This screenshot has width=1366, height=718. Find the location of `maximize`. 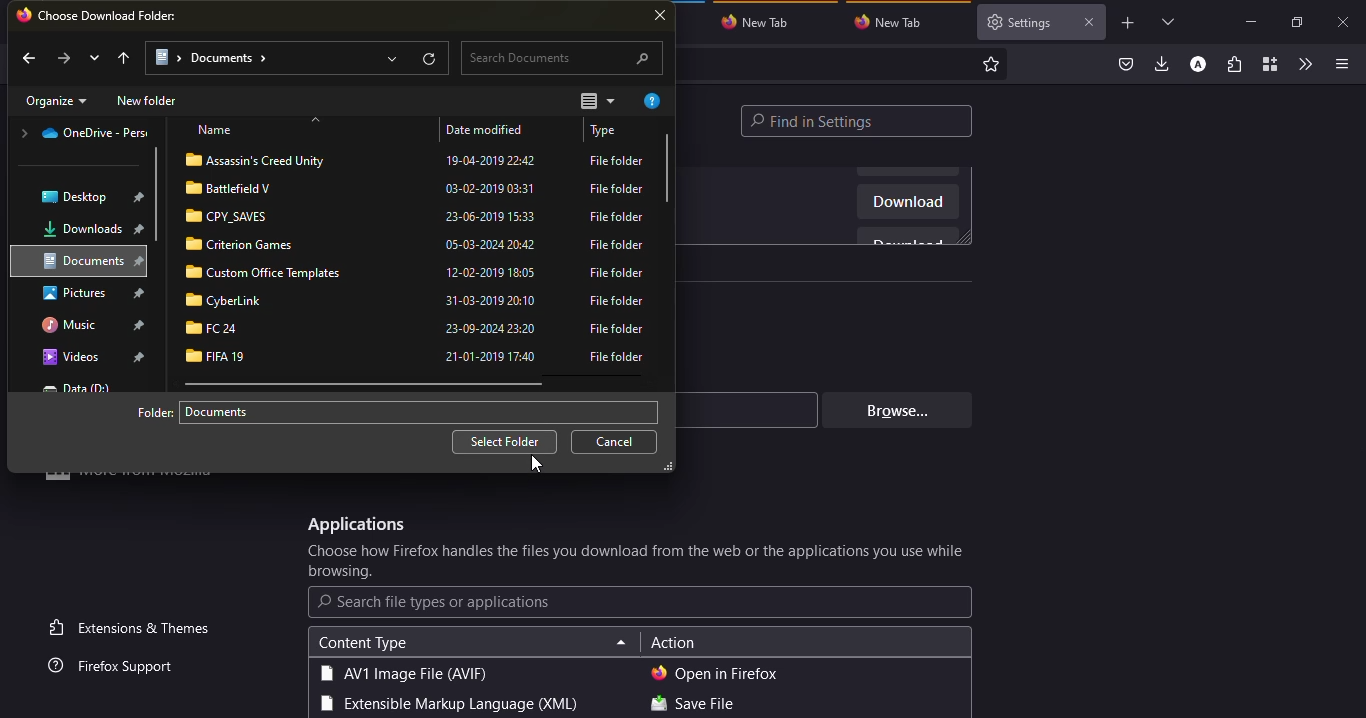

maximize is located at coordinates (1295, 22).